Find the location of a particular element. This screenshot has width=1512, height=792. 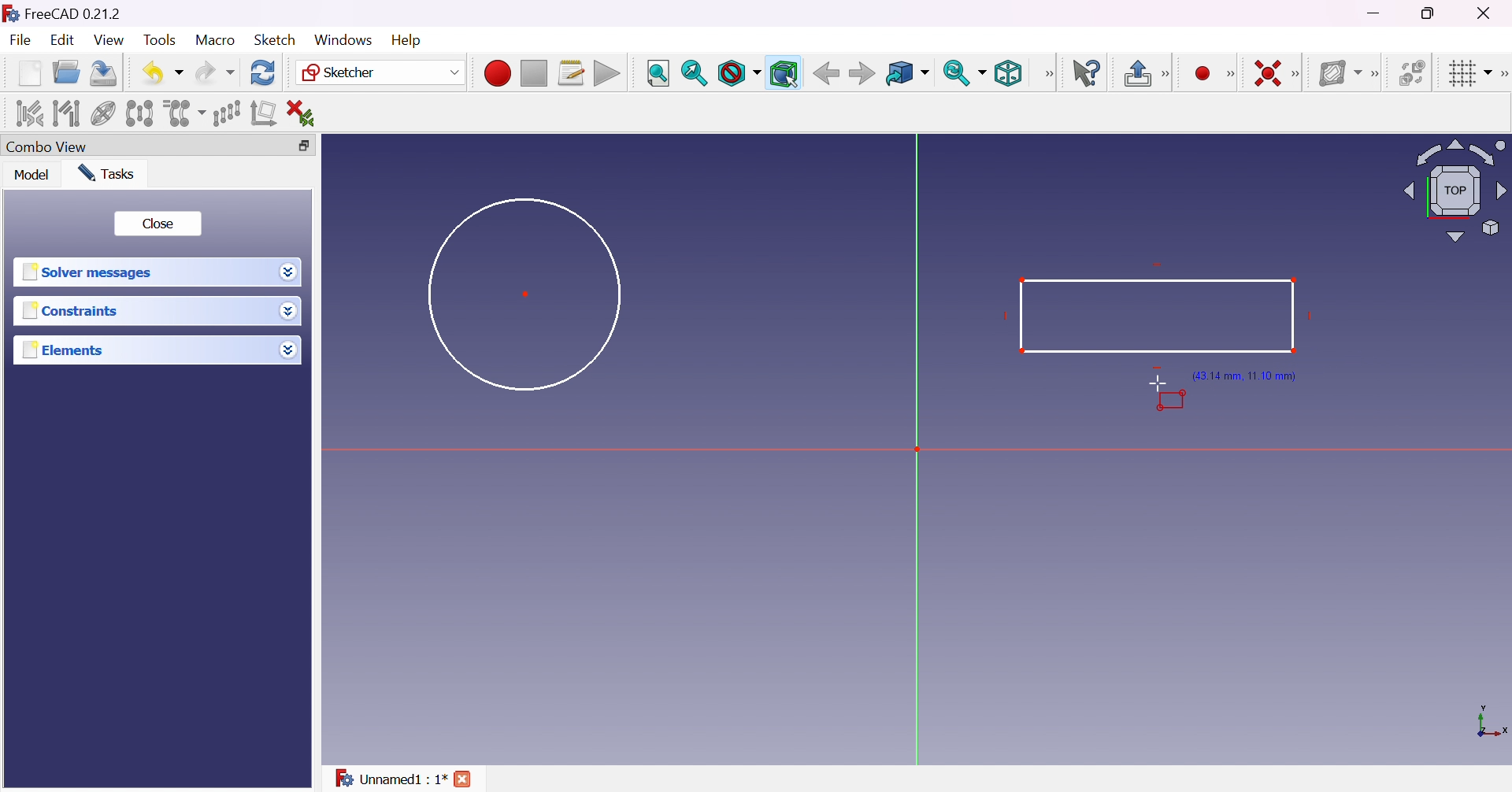

Cursor is located at coordinates (1161, 383).